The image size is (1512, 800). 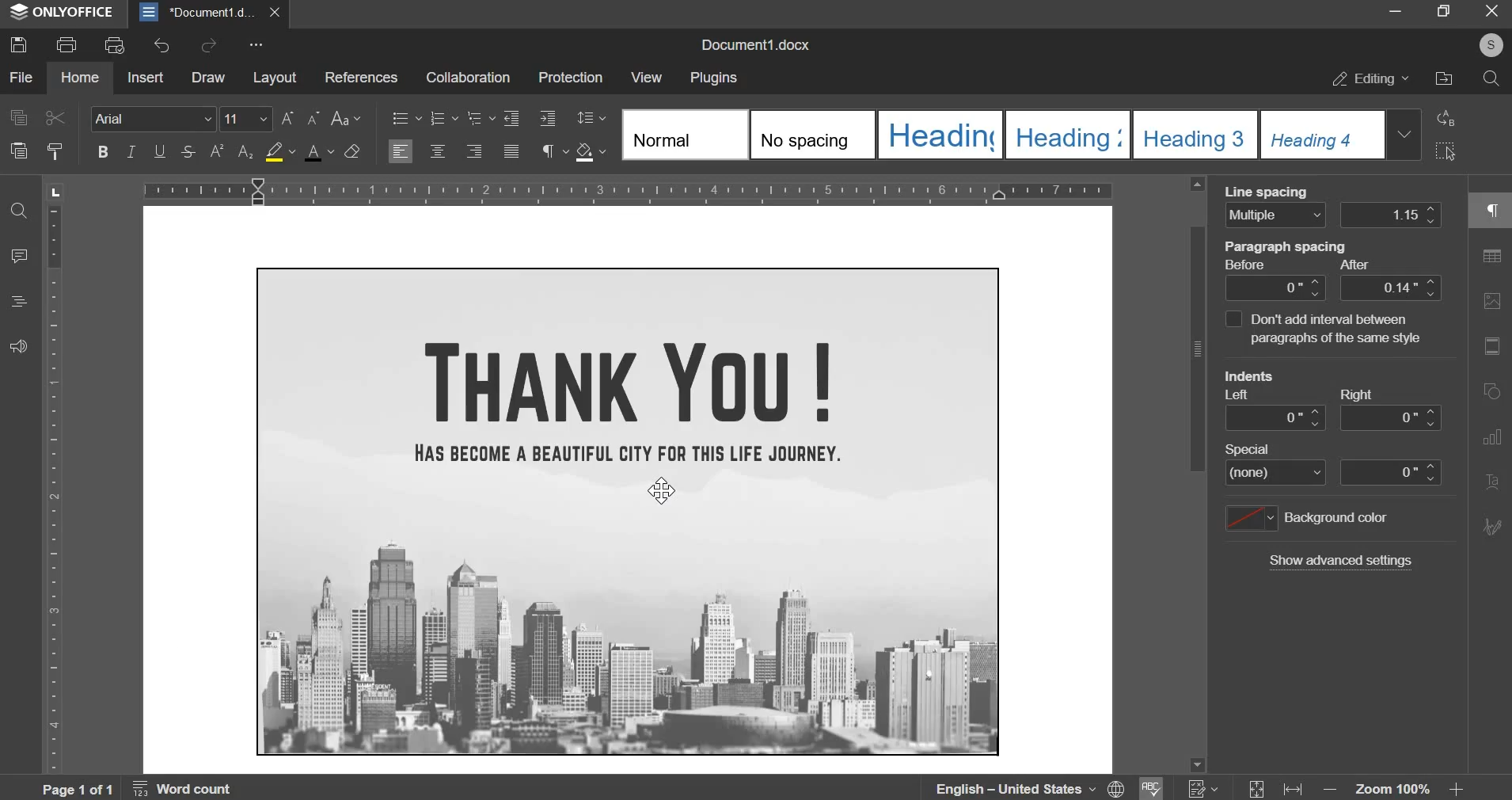 I want to click on Background color, so click(x=1340, y=520).